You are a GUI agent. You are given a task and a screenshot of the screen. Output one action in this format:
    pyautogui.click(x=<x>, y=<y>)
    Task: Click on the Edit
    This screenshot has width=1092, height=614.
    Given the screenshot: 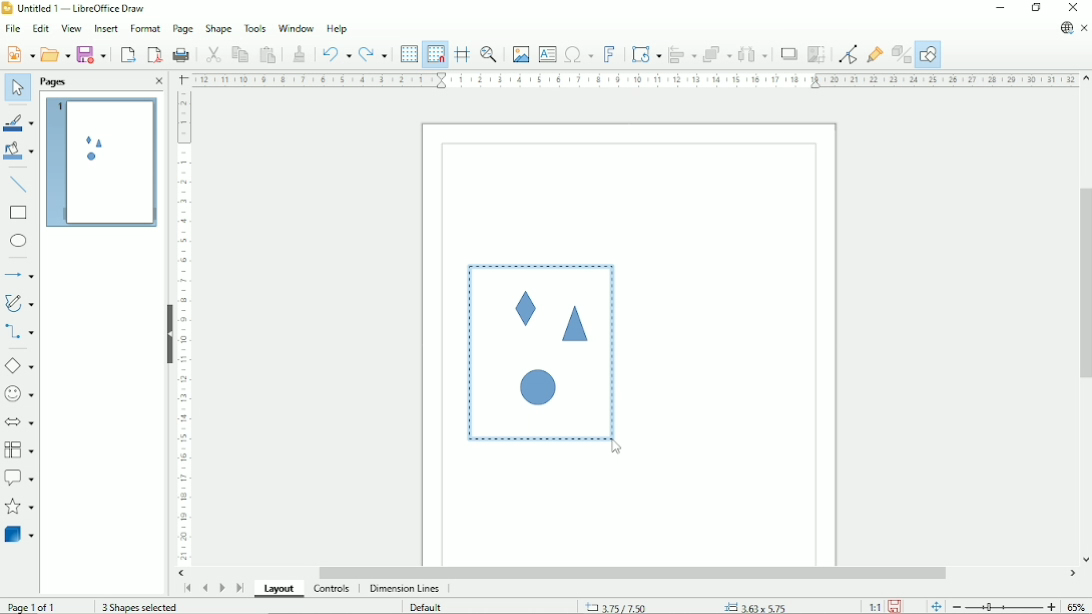 What is the action you would take?
    pyautogui.click(x=40, y=27)
    